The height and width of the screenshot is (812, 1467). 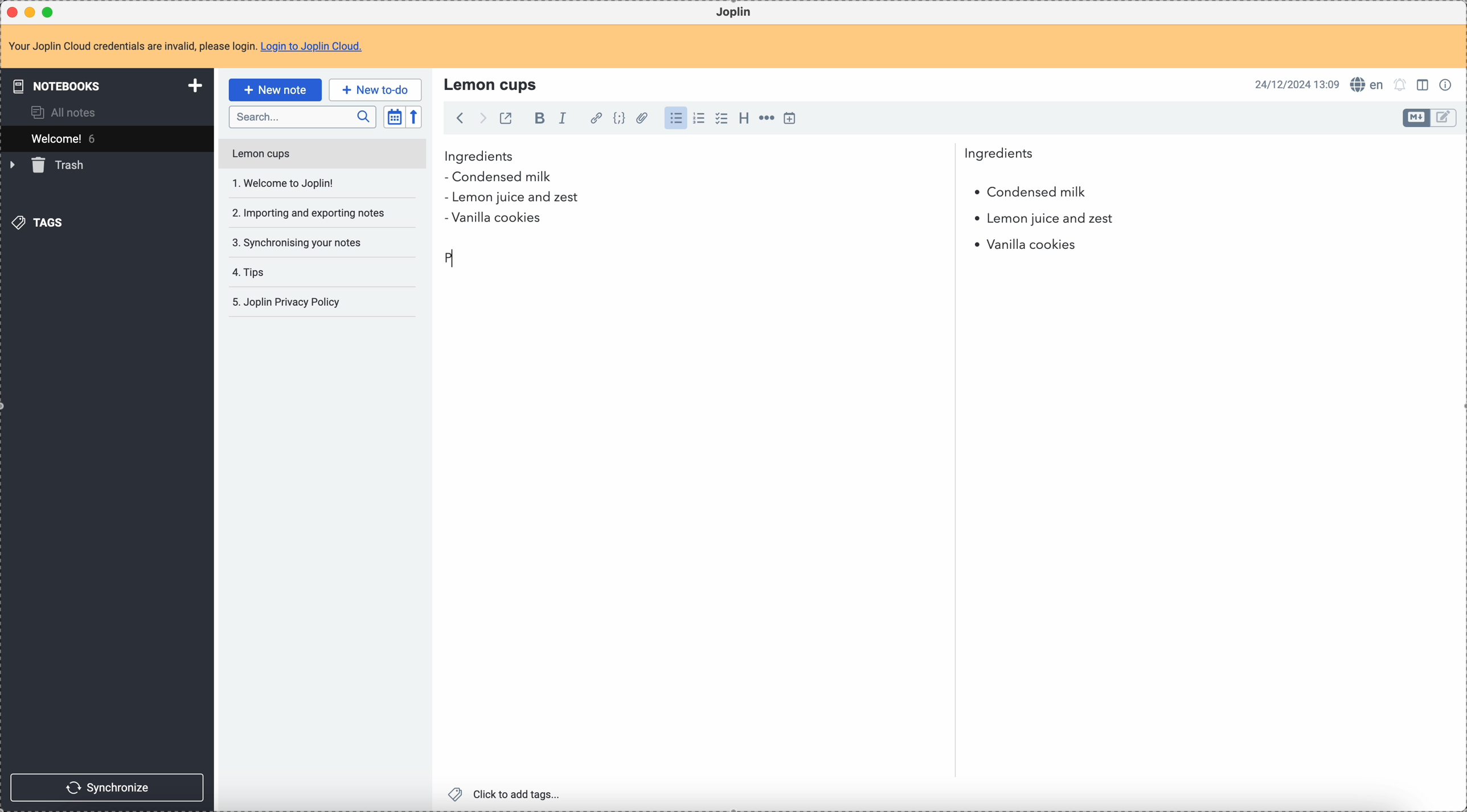 What do you see at coordinates (505, 120) in the screenshot?
I see `toggle external editing` at bounding box center [505, 120].